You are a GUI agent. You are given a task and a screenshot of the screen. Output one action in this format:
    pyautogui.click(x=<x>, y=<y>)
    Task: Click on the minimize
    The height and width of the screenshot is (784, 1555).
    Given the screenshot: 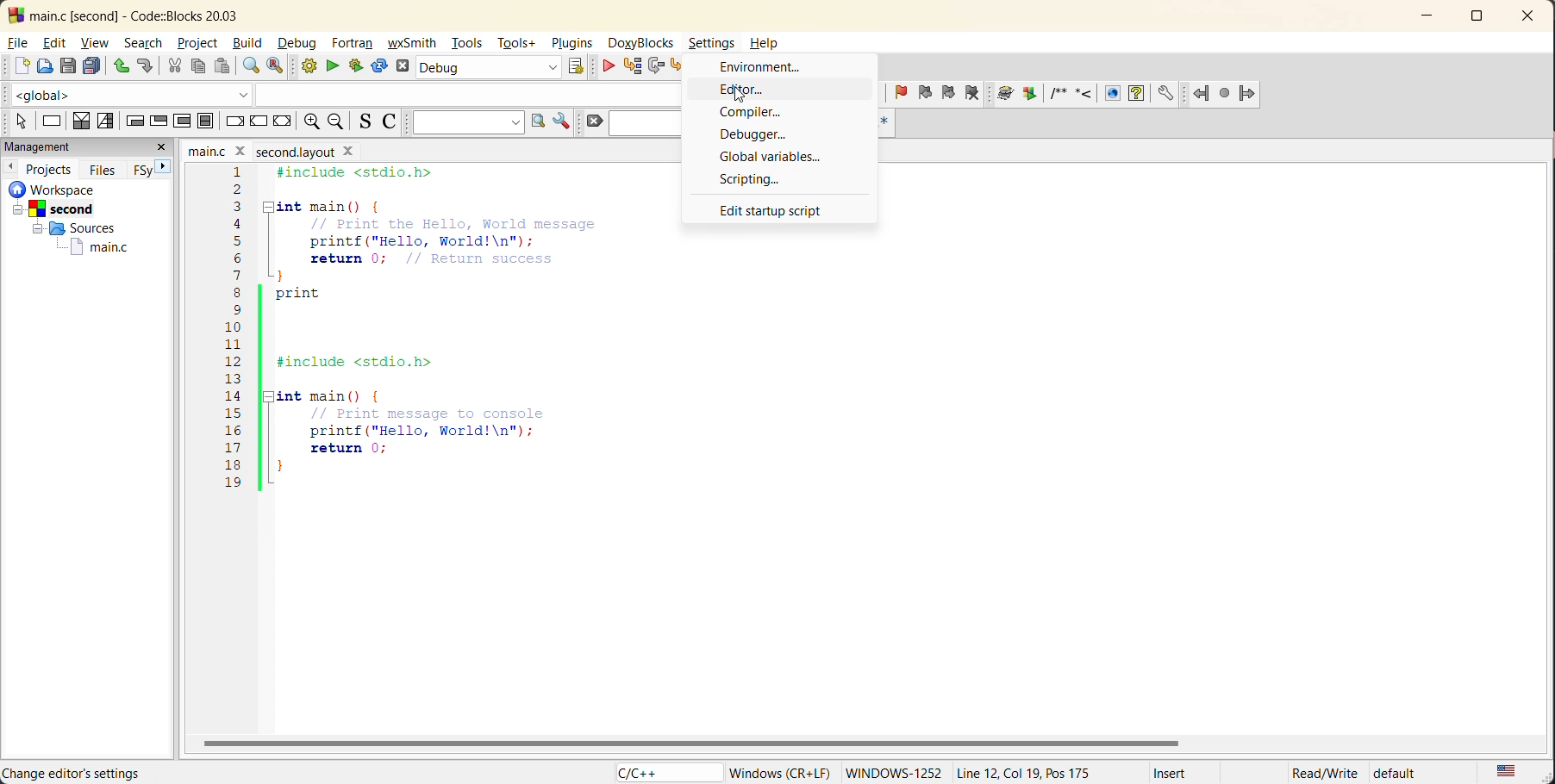 What is the action you would take?
    pyautogui.click(x=1427, y=17)
    